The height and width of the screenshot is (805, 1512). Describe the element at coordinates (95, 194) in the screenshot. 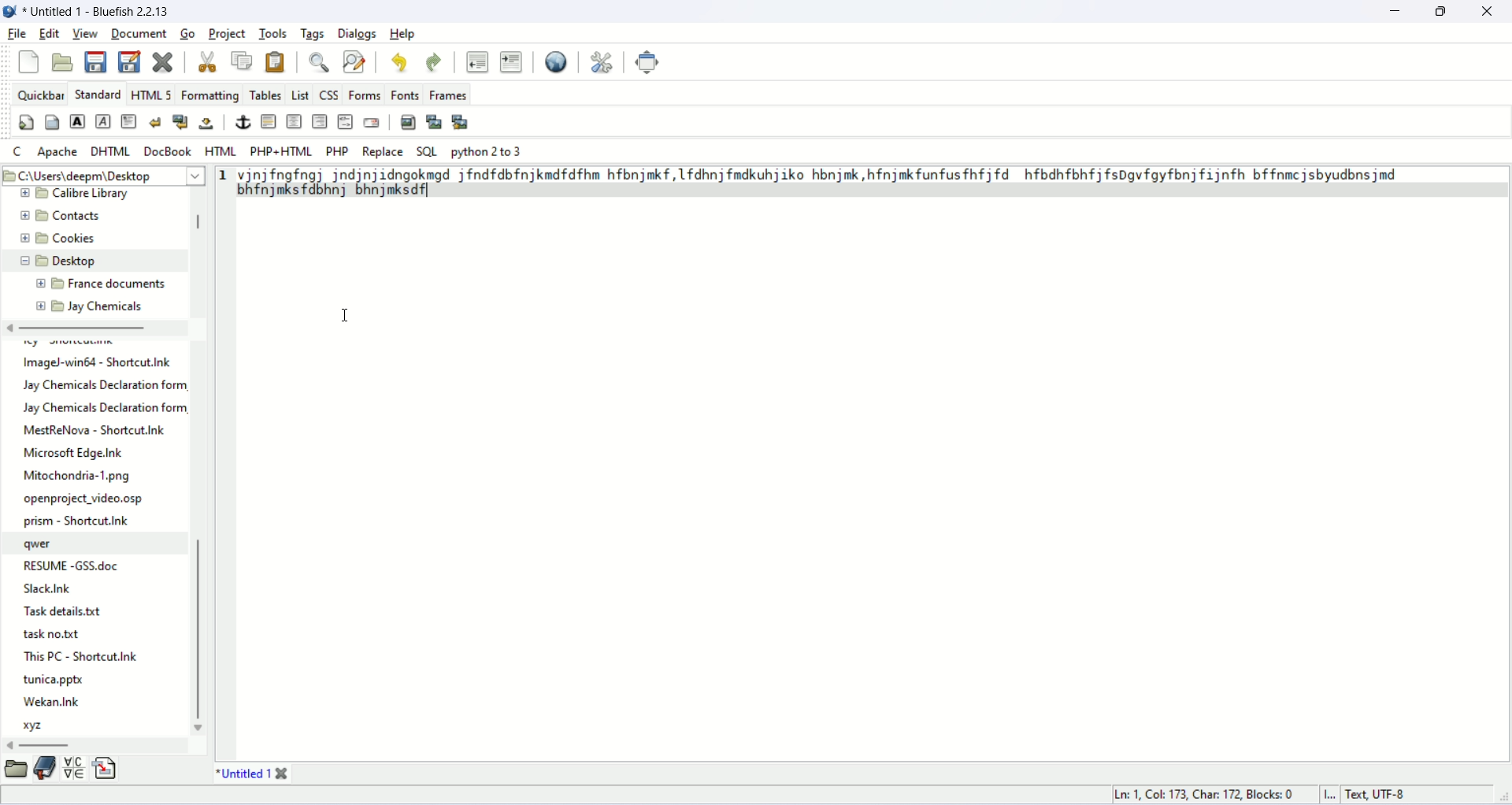

I see `Calibre Library` at that location.